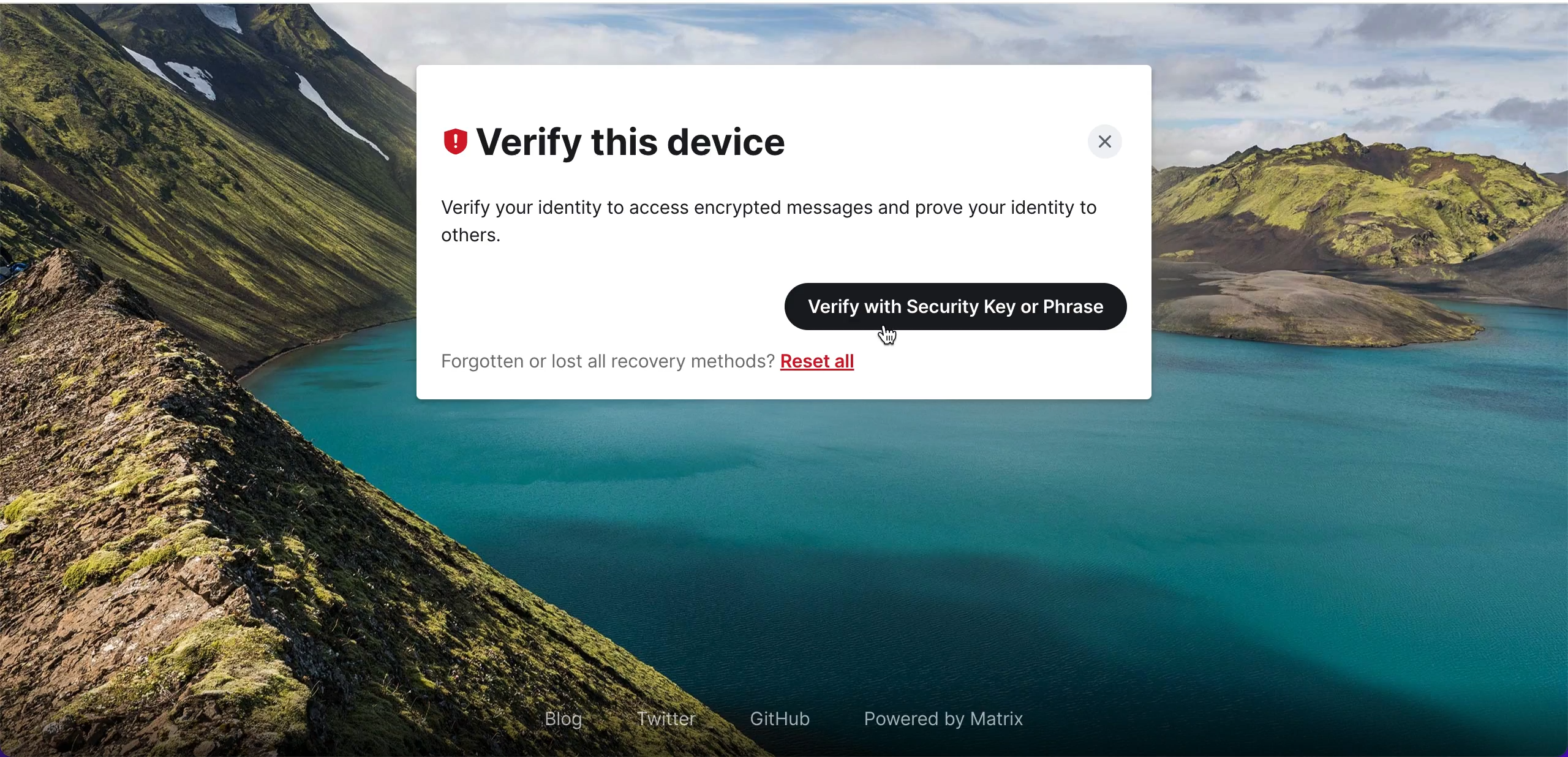 The height and width of the screenshot is (757, 1568). What do you see at coordinates (775, 717) in the screenshot?
I see `github` at bounding box center [775, 717].